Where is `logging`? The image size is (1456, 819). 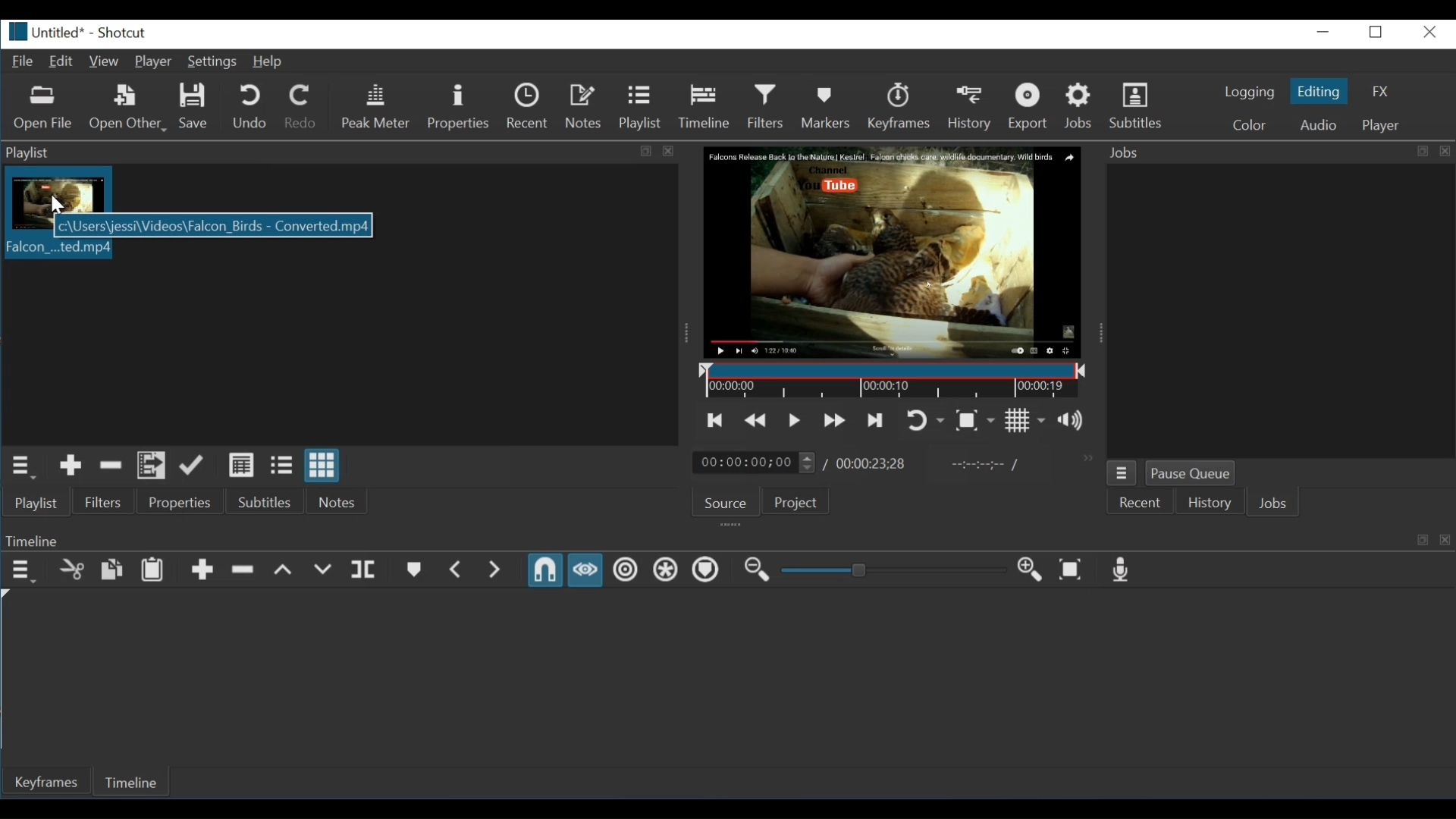 logging is located at coordinates (1250, 93).